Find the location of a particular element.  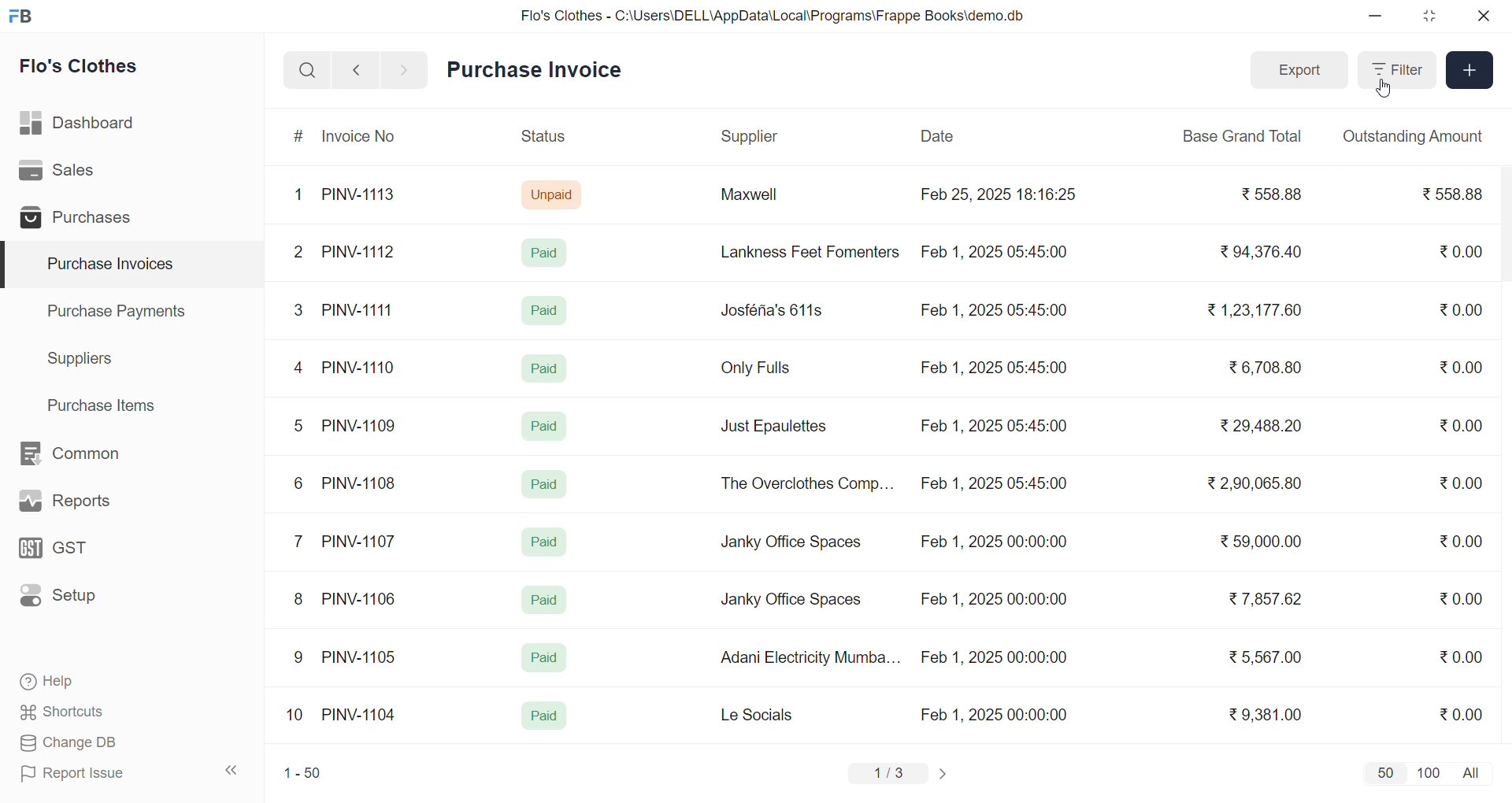

8 is located at coordinates (299, 601).